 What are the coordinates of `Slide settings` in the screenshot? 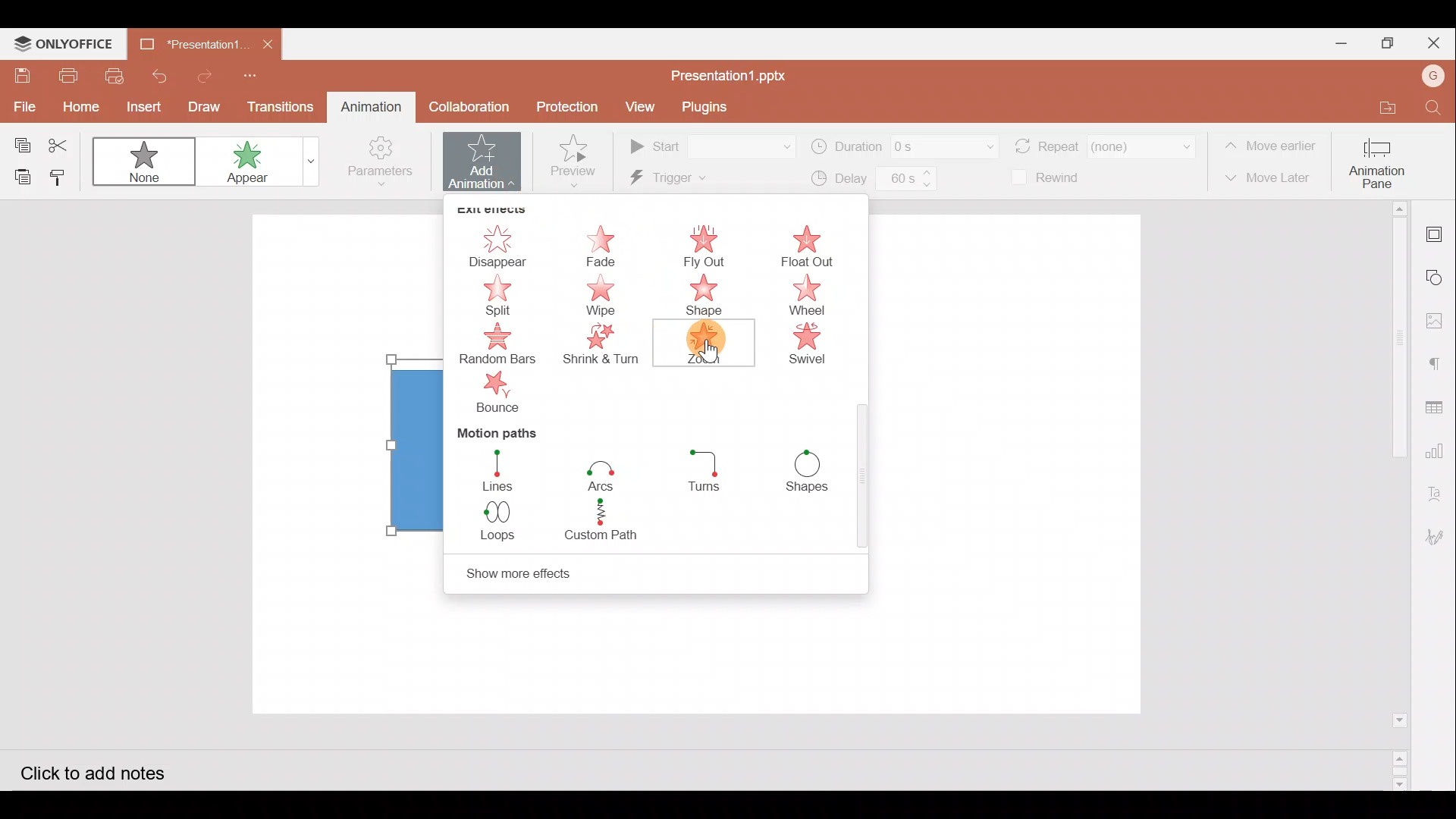 It's located at (1436, 232).